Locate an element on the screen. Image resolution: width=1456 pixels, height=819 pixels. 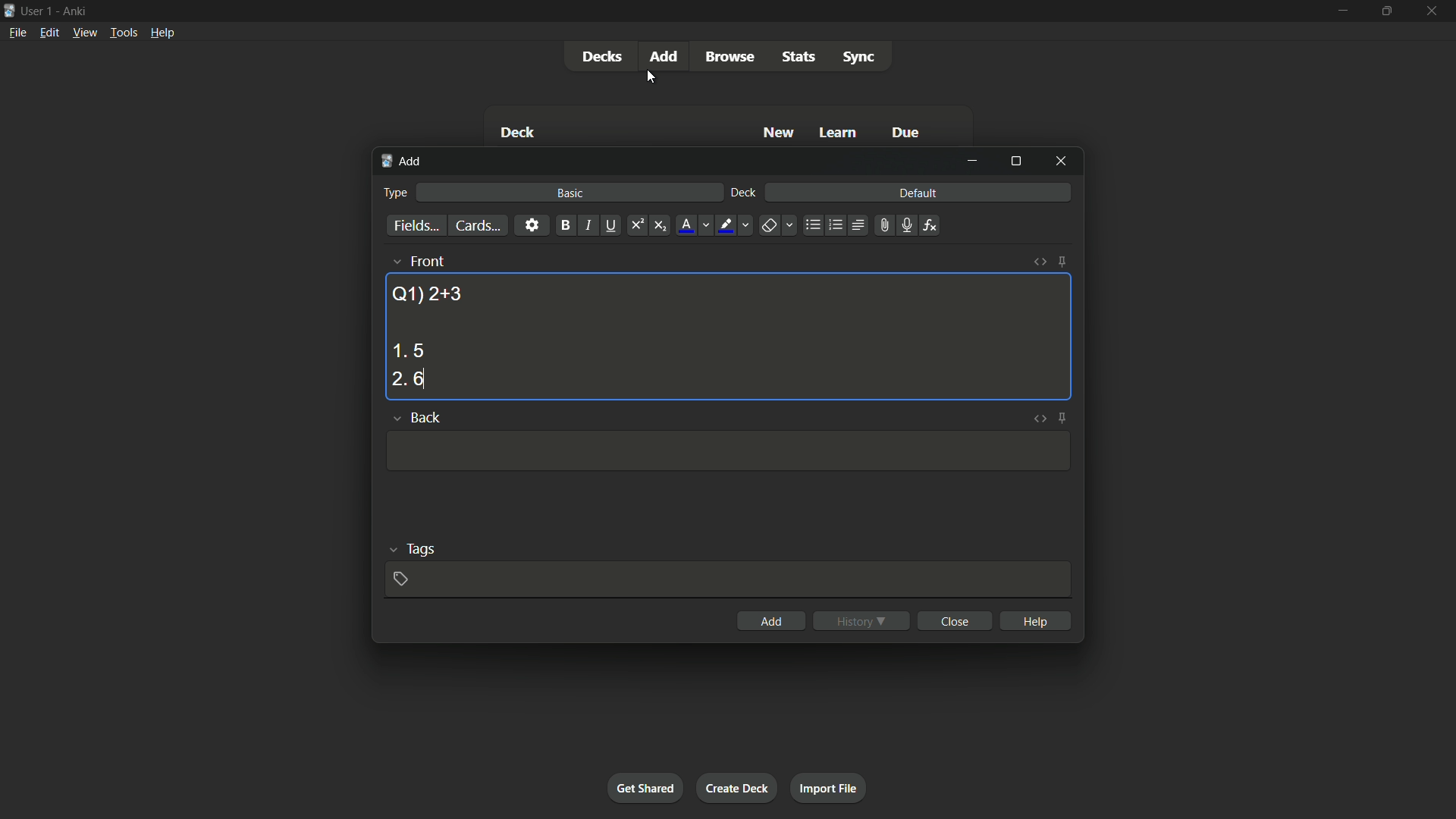
help menu is located at coordinates (162, 33).